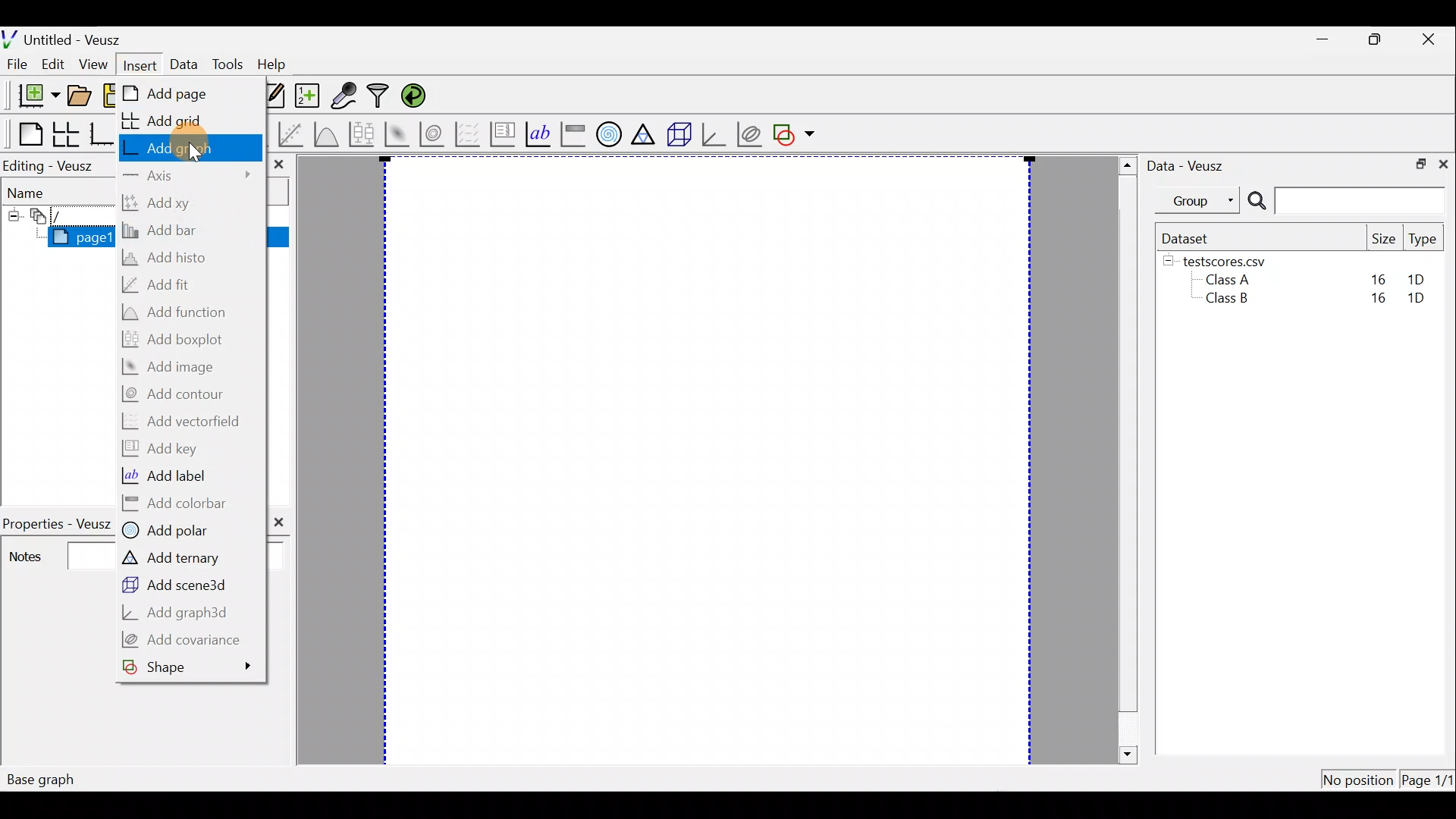  What do you see at coordinates (396, 132) in the screenshot?
I see `Plot a 2d dataset as an image` at bounding box center [396, 132].